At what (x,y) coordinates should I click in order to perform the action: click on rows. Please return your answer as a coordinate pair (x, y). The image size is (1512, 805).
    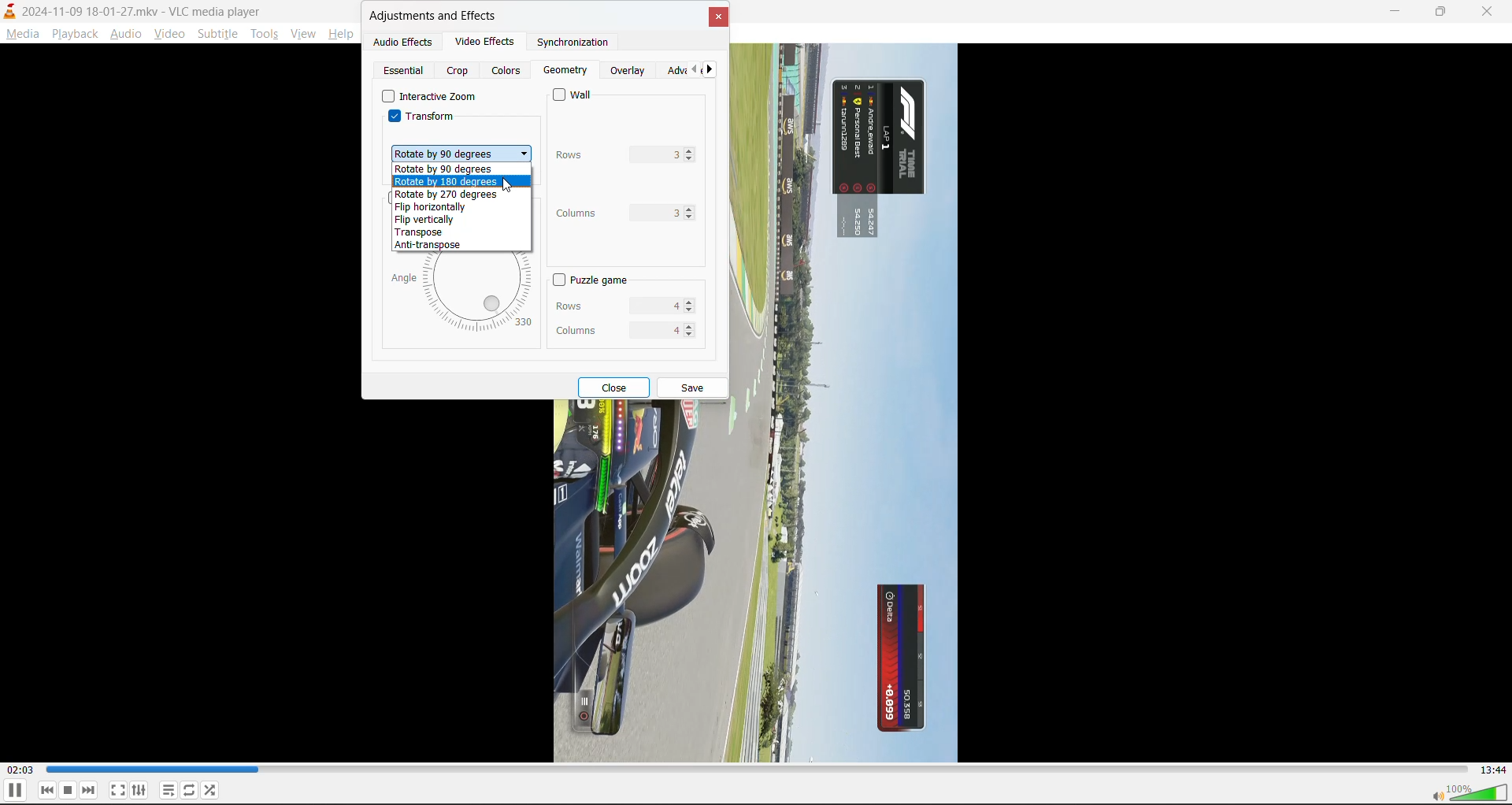
    Looking at the image, I should click on (610, 305).